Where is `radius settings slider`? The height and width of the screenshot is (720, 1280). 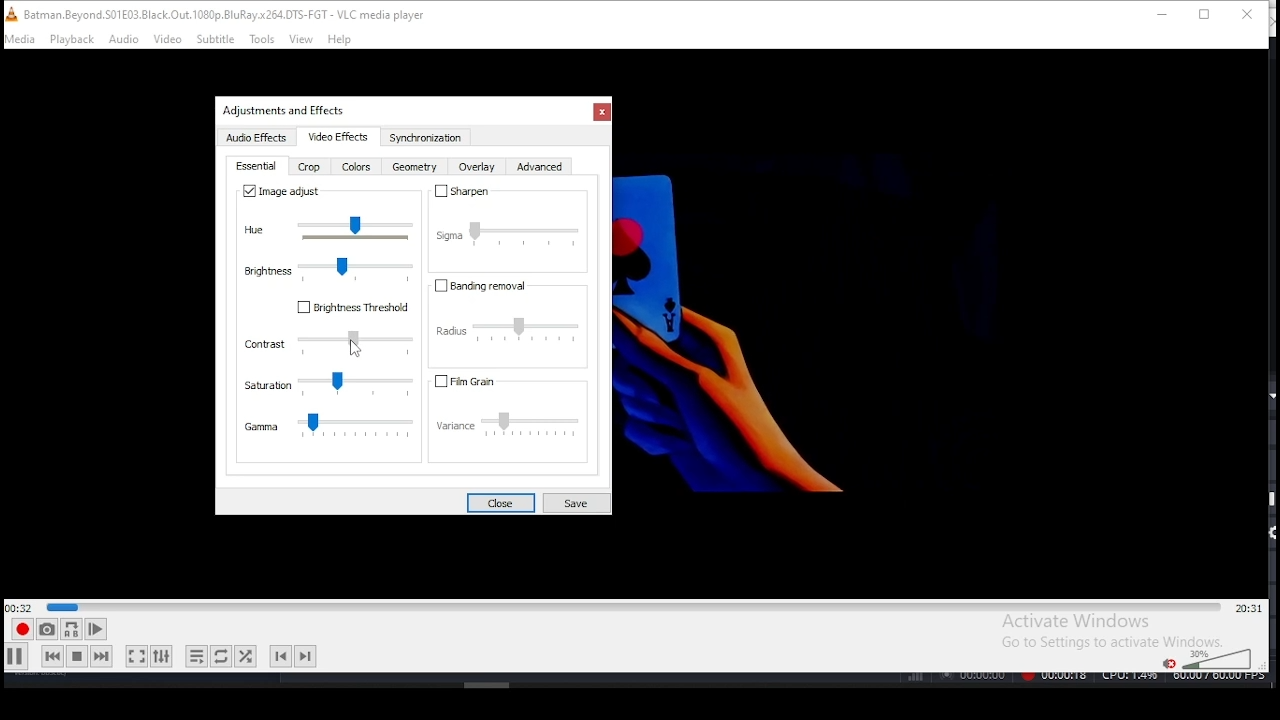
radius settings slider is located at coordinates (513, 329).